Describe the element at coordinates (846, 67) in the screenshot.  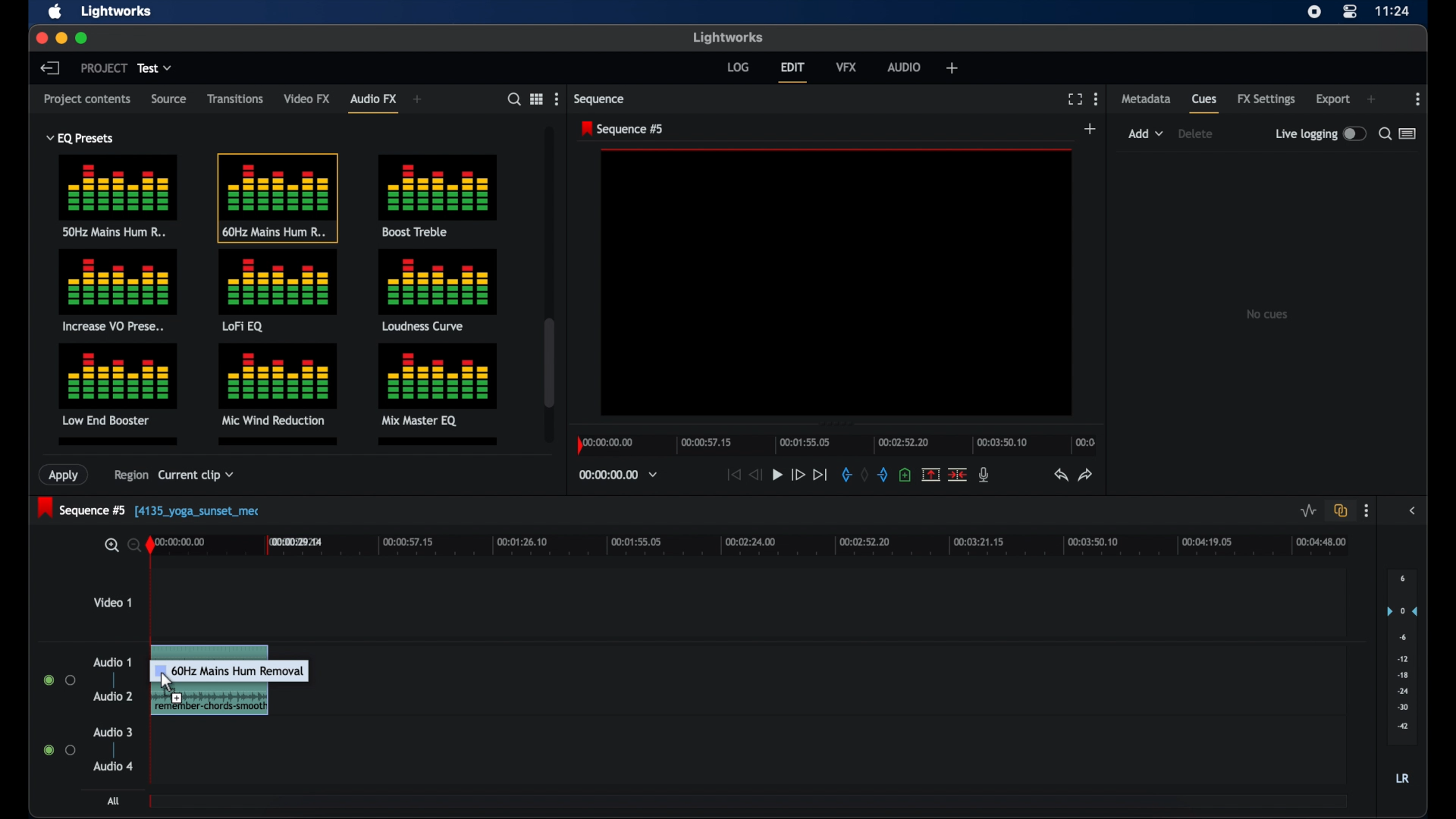
I see `vfx` at that location.